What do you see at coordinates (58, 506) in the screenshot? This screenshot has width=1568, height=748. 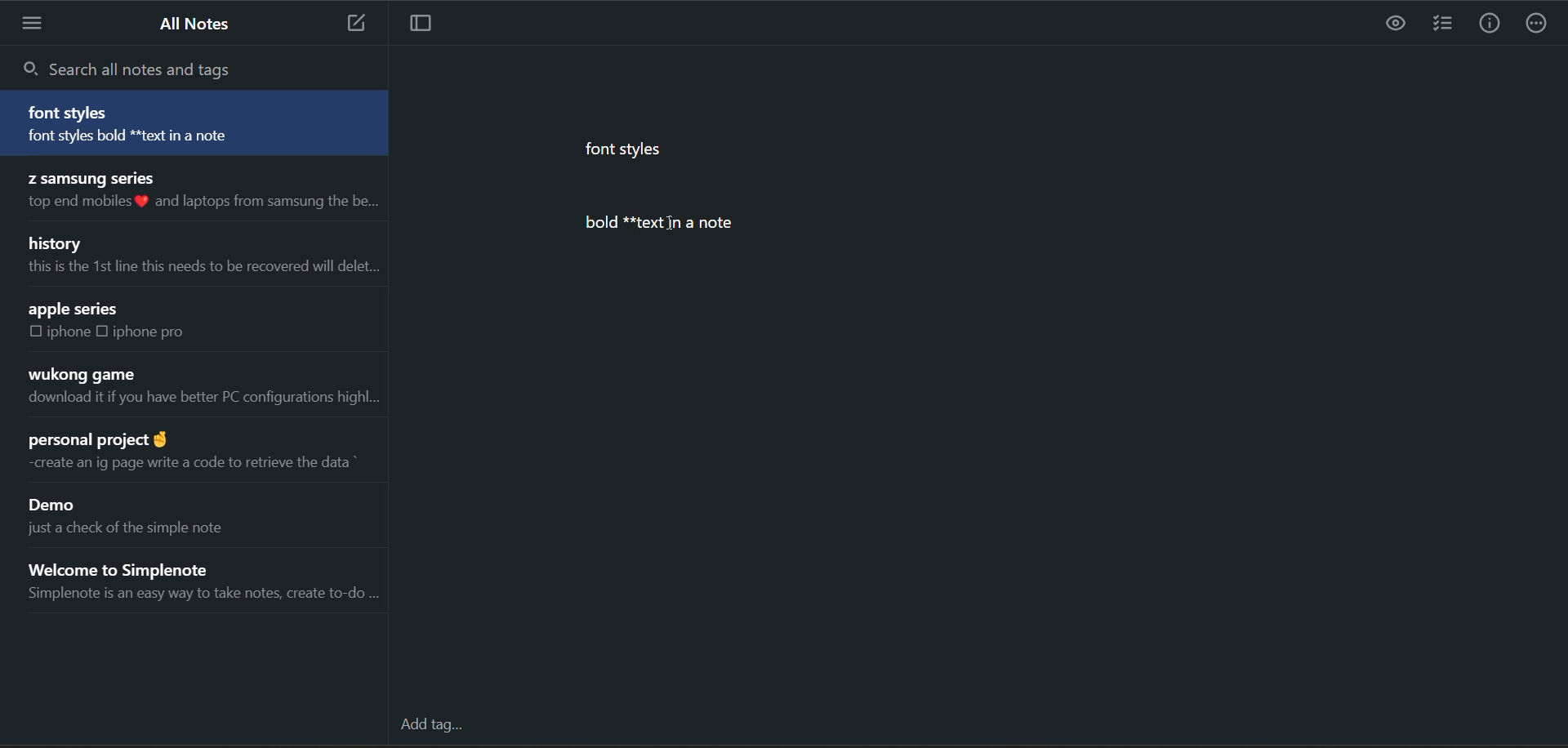 I see `Demo` at bounding box center [58, 506].